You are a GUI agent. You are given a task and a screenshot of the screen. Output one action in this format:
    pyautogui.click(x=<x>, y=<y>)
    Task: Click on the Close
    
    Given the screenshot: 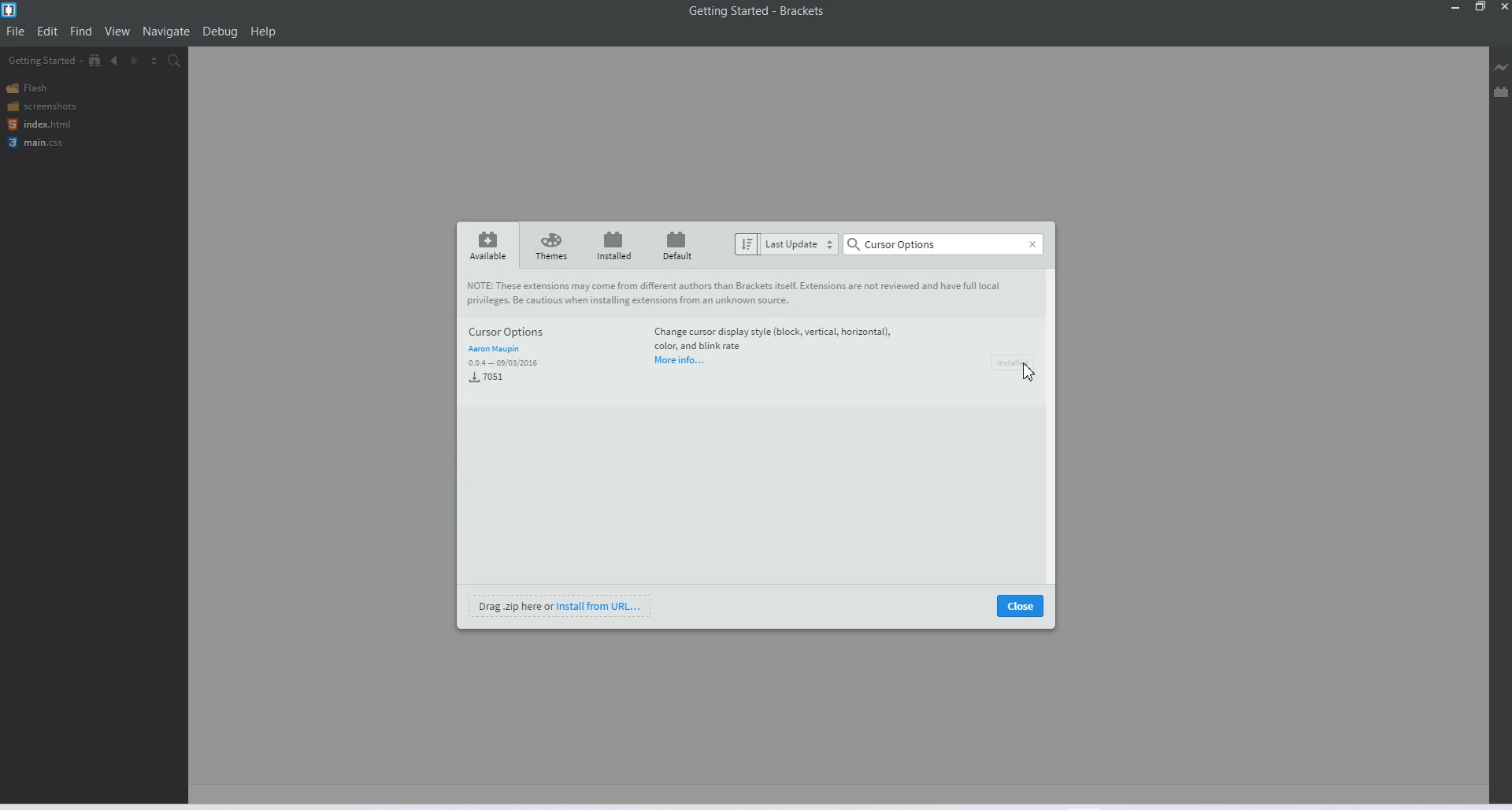 What is the action you would take?
    pyautogui.click(x=1503, y=7)
    